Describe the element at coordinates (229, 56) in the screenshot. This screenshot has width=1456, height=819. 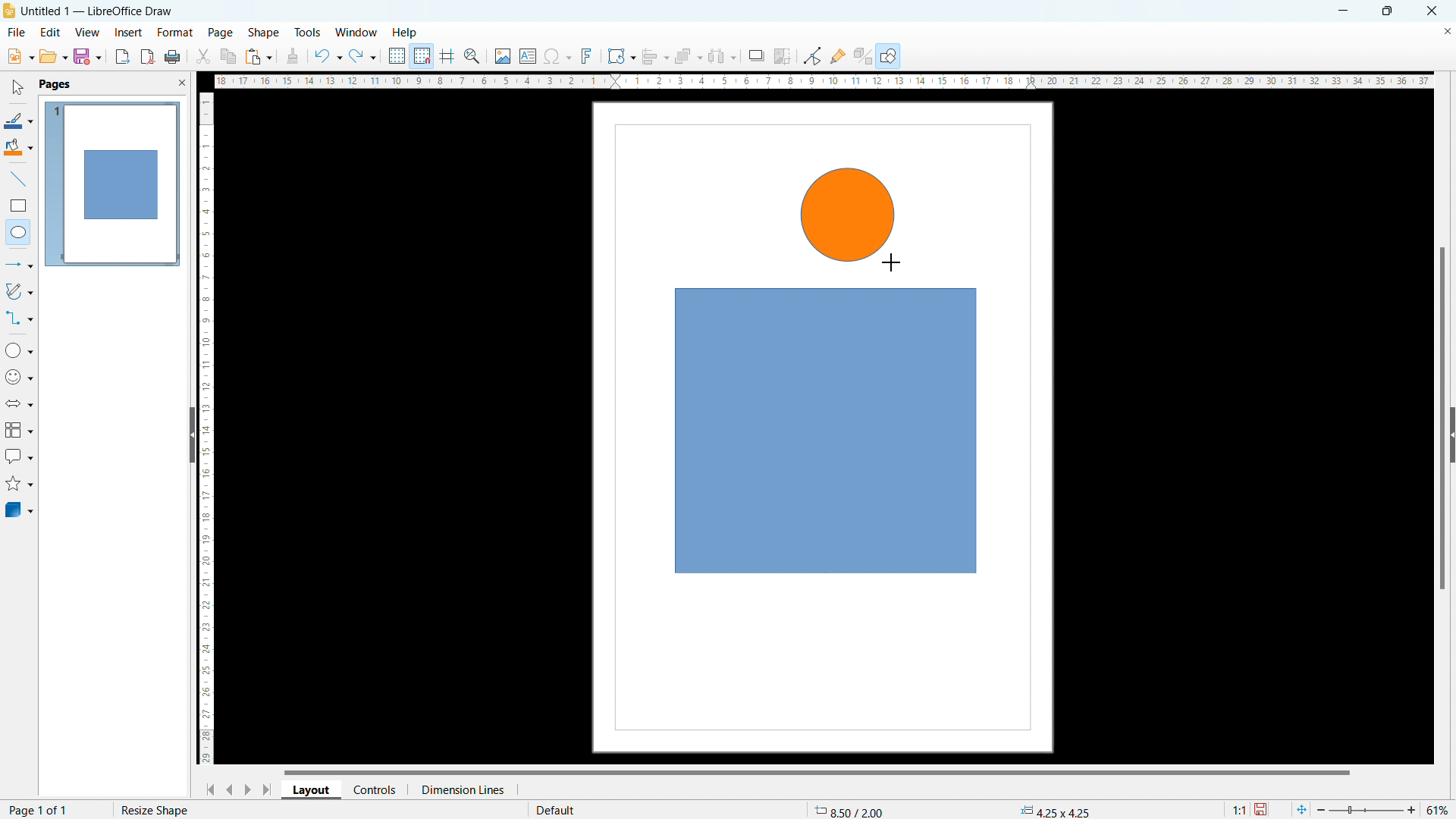
I see `copy` at that location.